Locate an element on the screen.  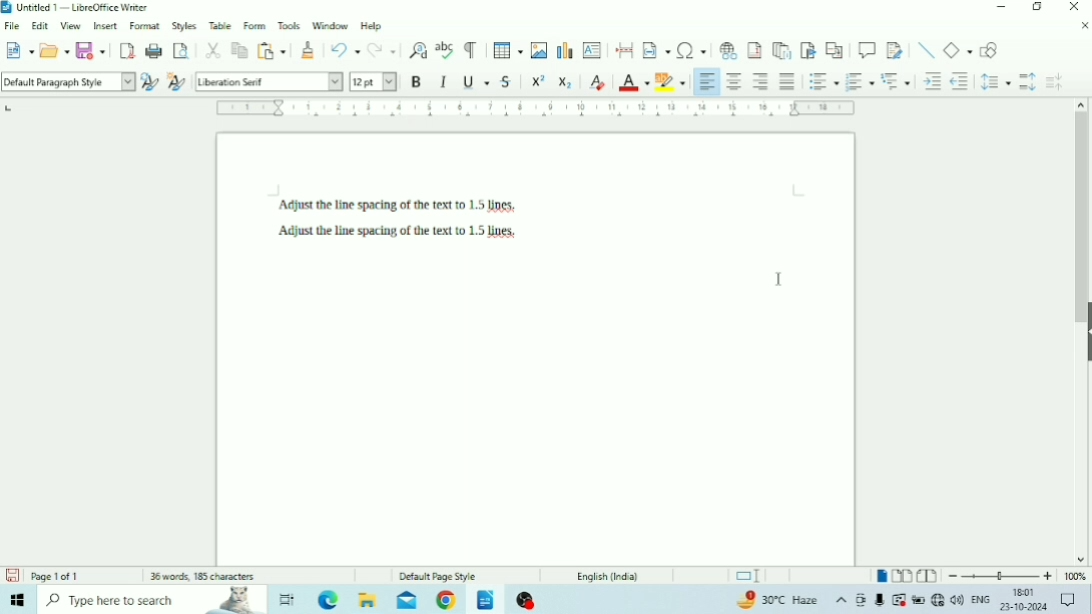
Toggle Print Preview is located at coordinates (183, 50).